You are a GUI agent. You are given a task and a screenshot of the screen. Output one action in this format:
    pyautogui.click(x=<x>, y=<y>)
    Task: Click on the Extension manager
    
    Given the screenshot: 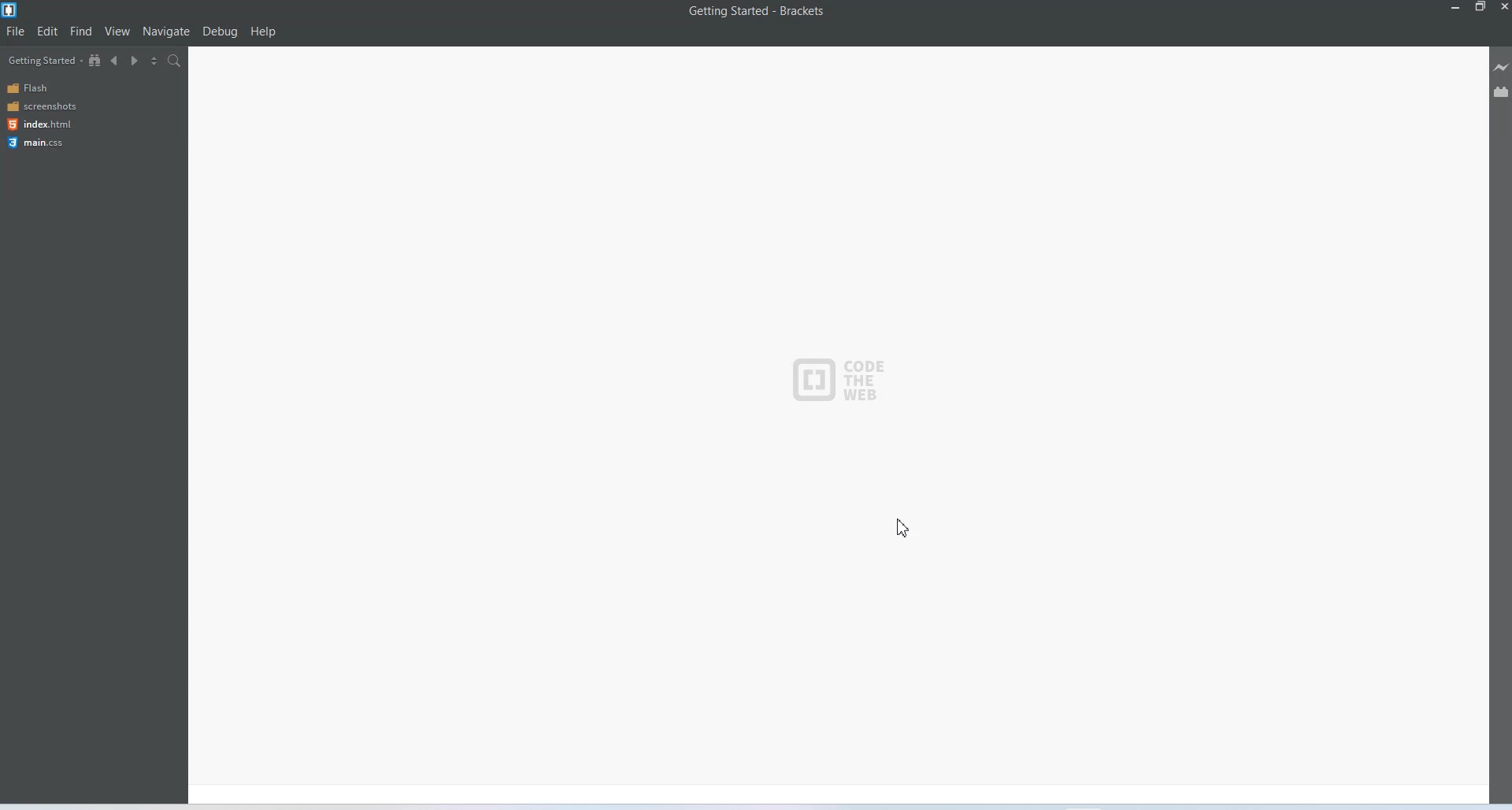 What is the action you would take?
    pyautogui.click(x=1501, y=87)
    